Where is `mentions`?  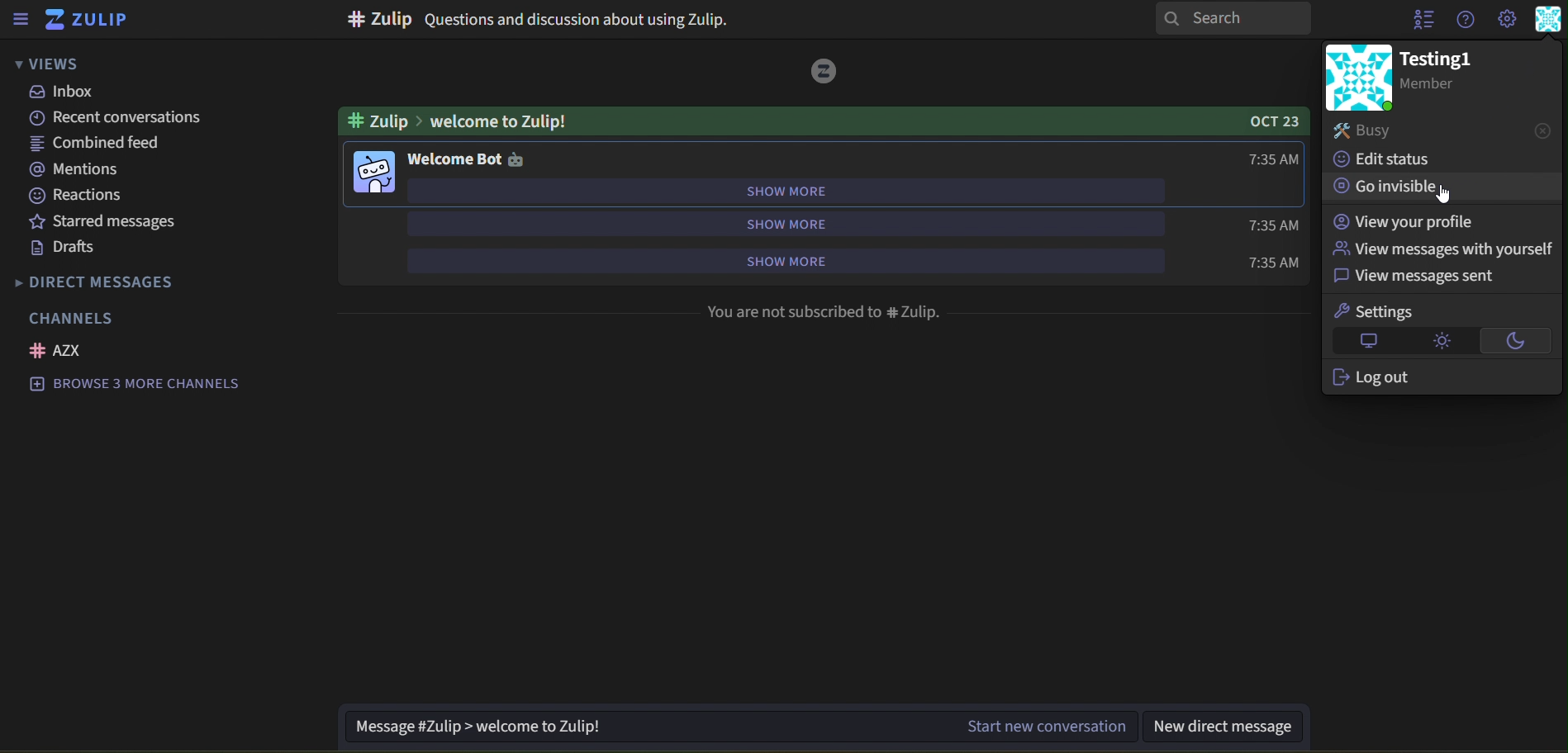
mentions is located at coordinates (75, 169).